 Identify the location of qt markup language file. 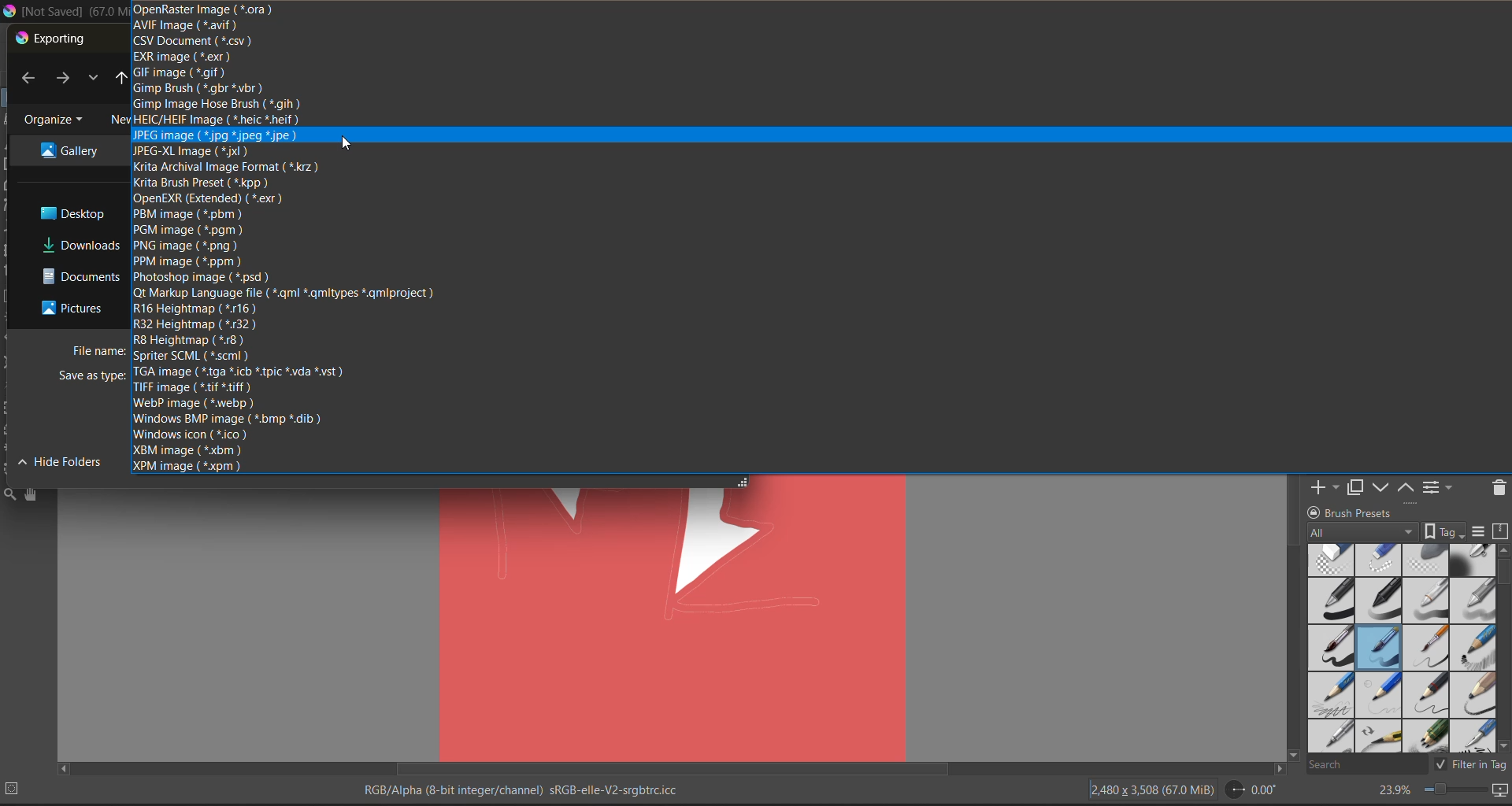
(283, 294).